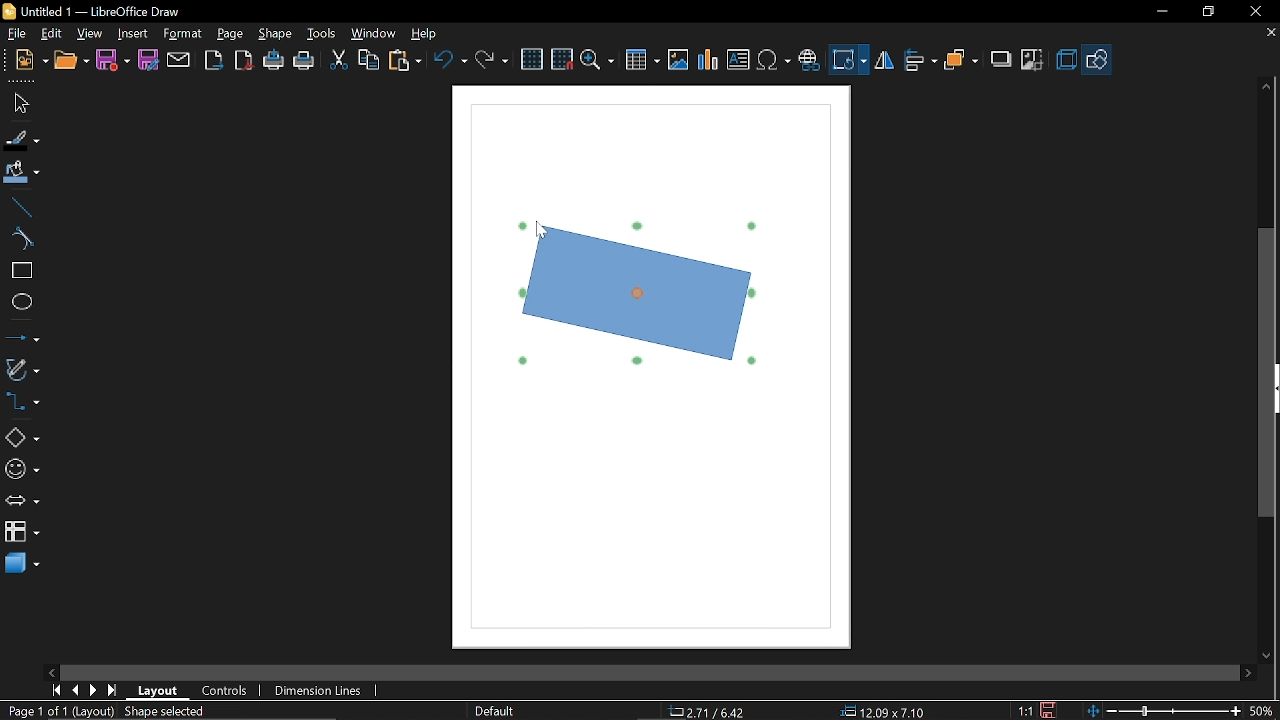 The width and height of the screenshot is (1280, 720). What do you see at coordinates (22, 339) in the screenshot?
I see `lines and arrows` at bounding box center [22, 339].